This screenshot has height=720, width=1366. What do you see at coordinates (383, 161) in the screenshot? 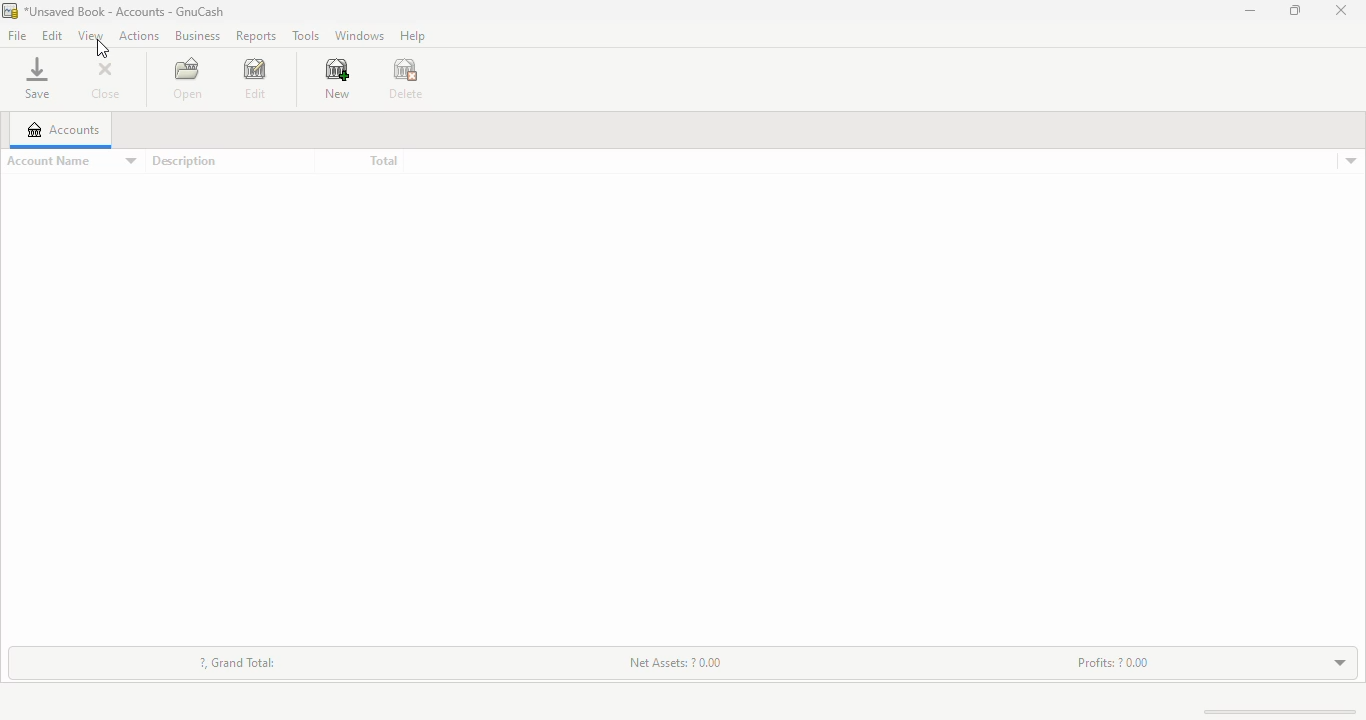
I see `total` at bounding box center [383, 161].